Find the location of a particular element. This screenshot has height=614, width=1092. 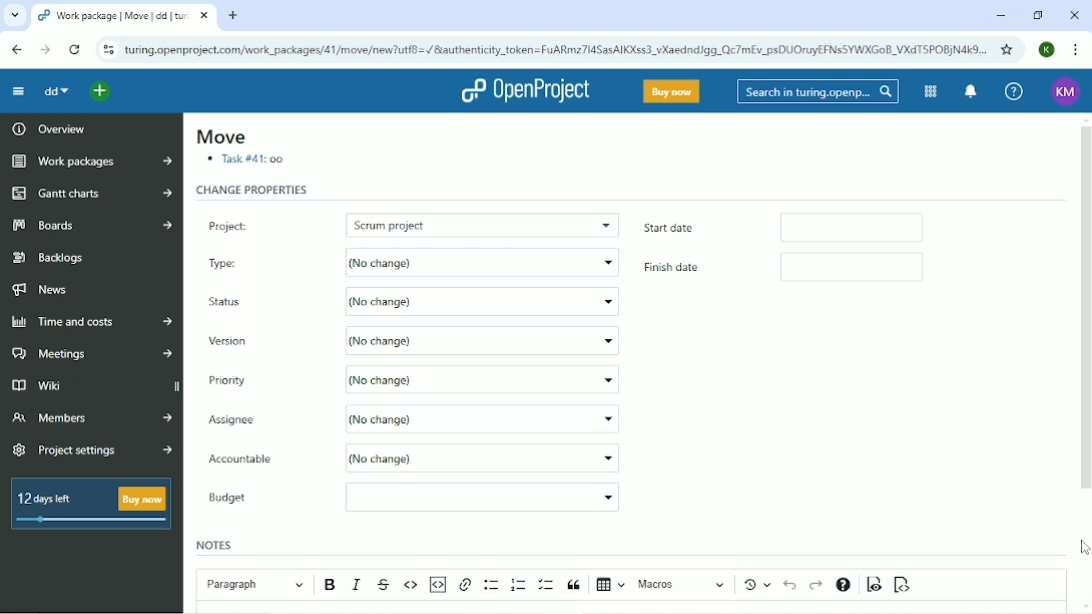

Work packages is located at coordinates (91, 162).